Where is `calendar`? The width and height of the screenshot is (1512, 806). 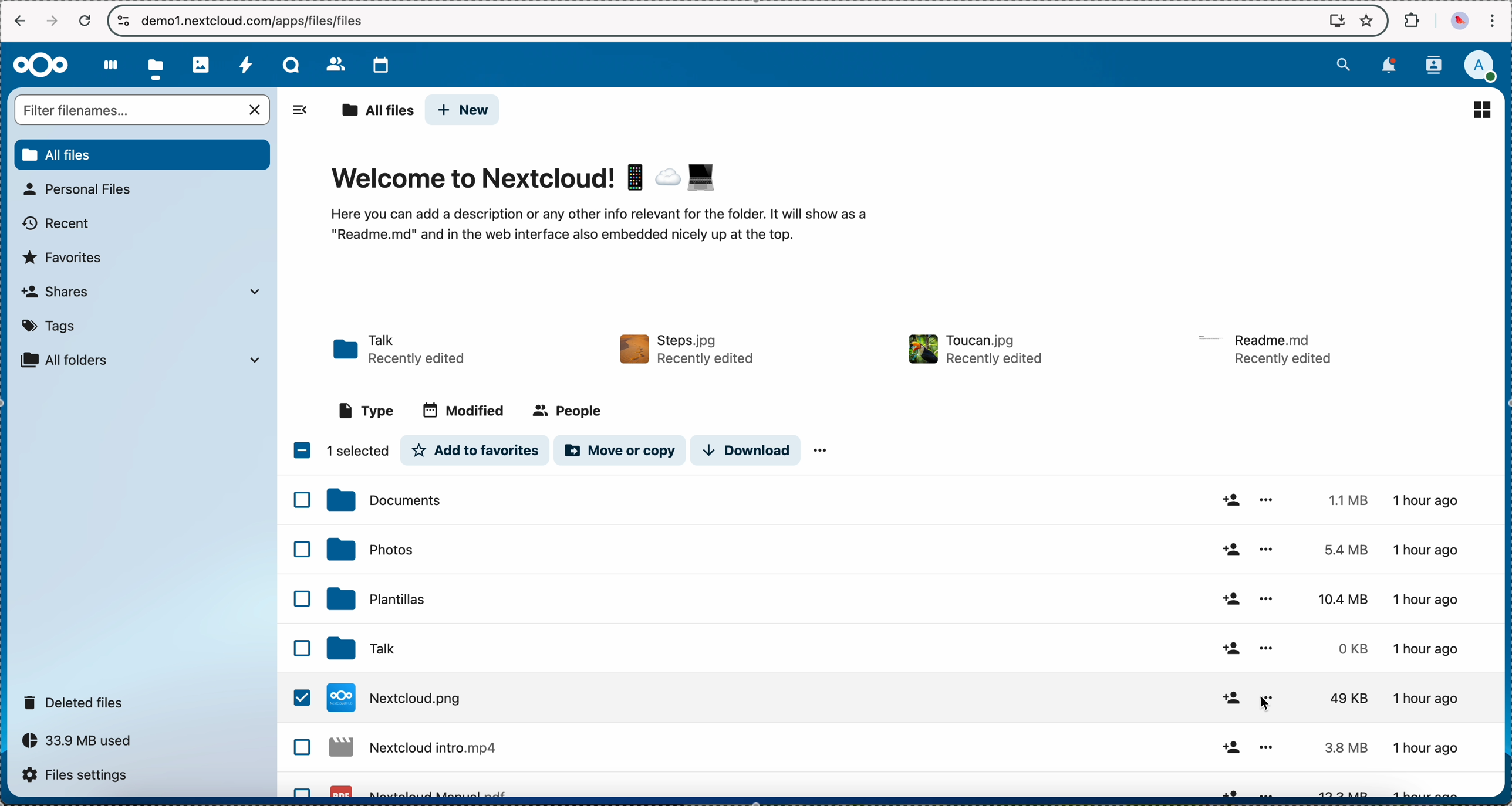 calendar is located at coordinates (376, 64).